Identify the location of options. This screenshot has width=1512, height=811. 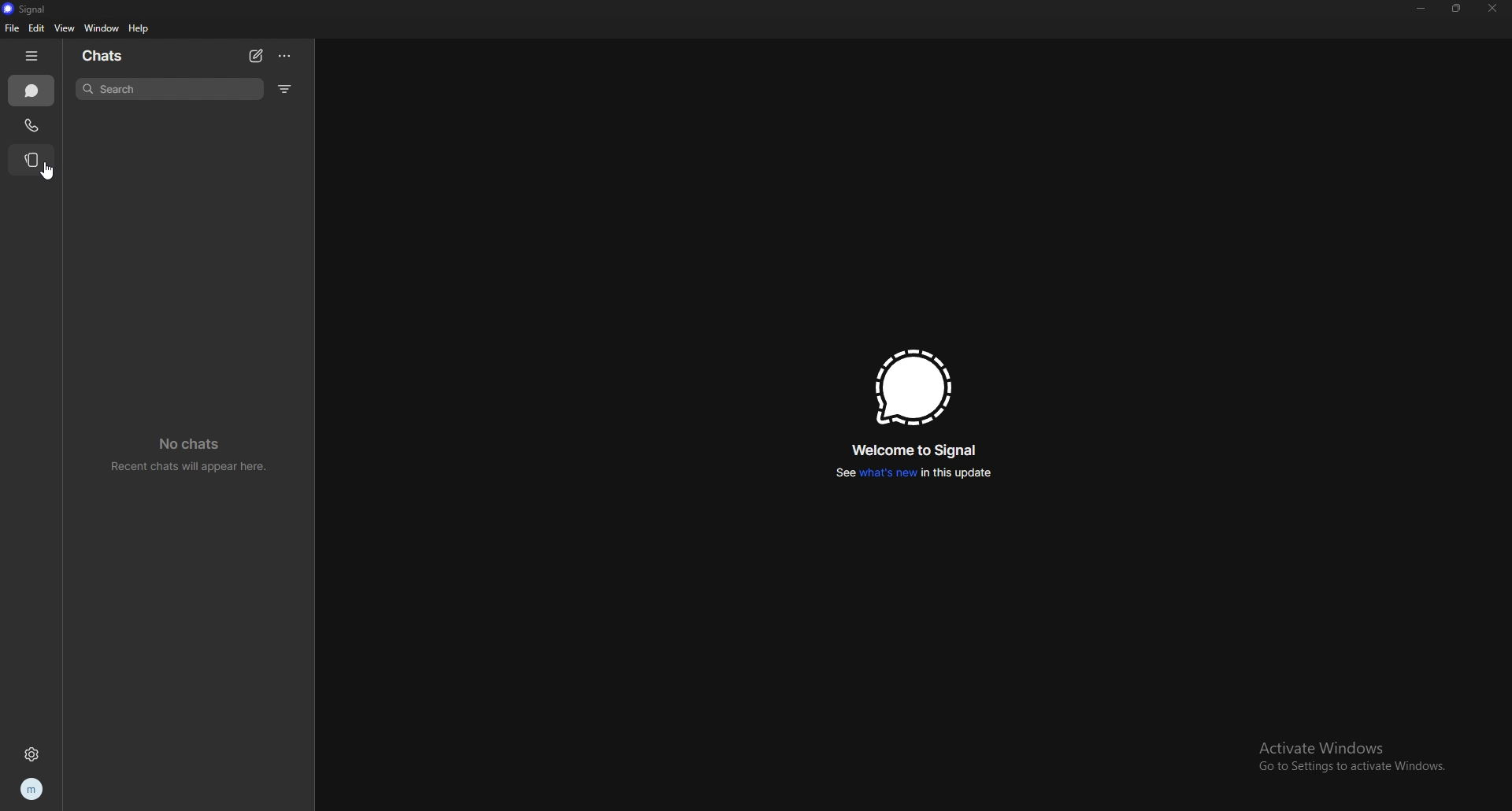
(284, 56).